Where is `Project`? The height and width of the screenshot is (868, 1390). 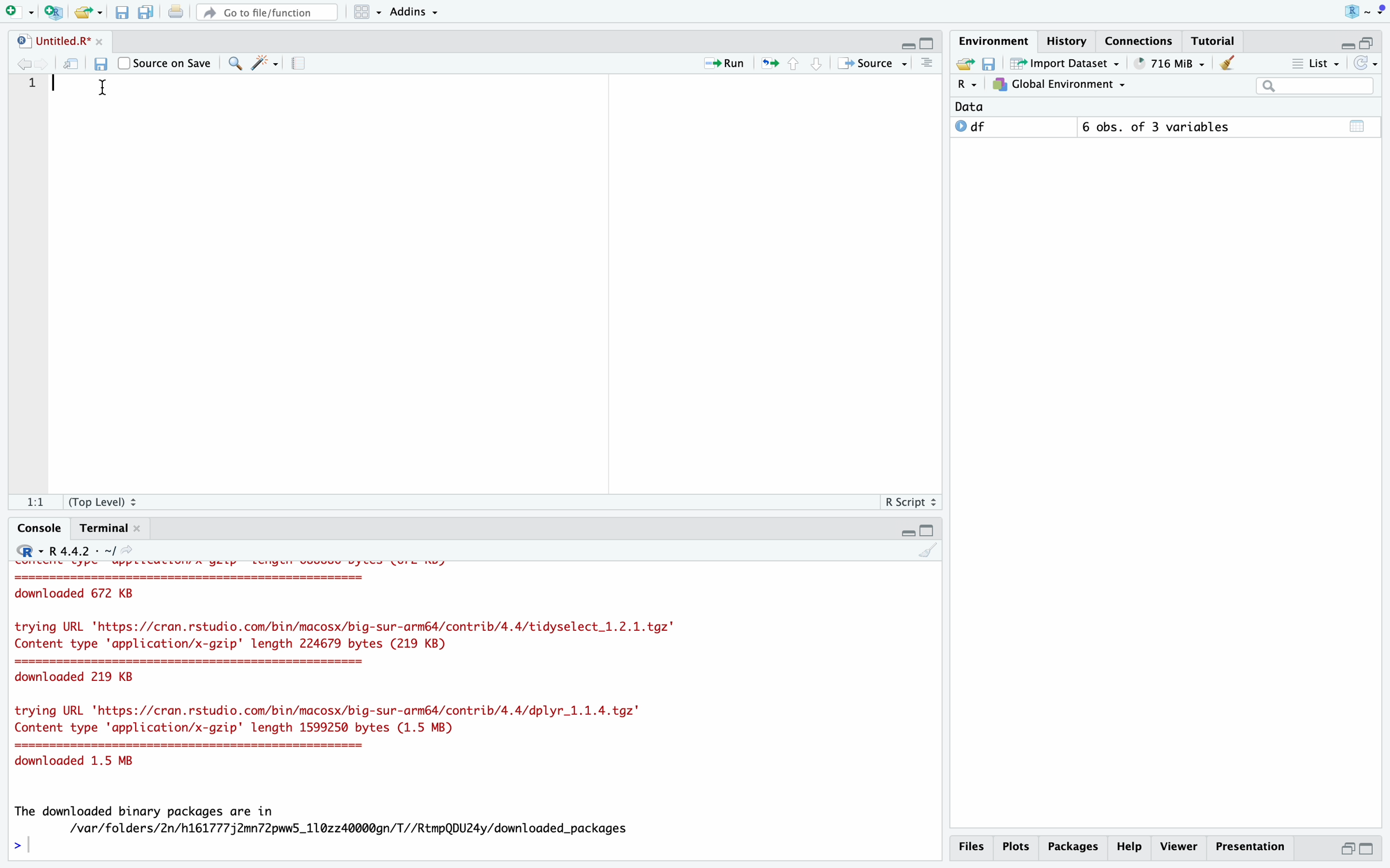
Project is located at coordinates (1364, 12).